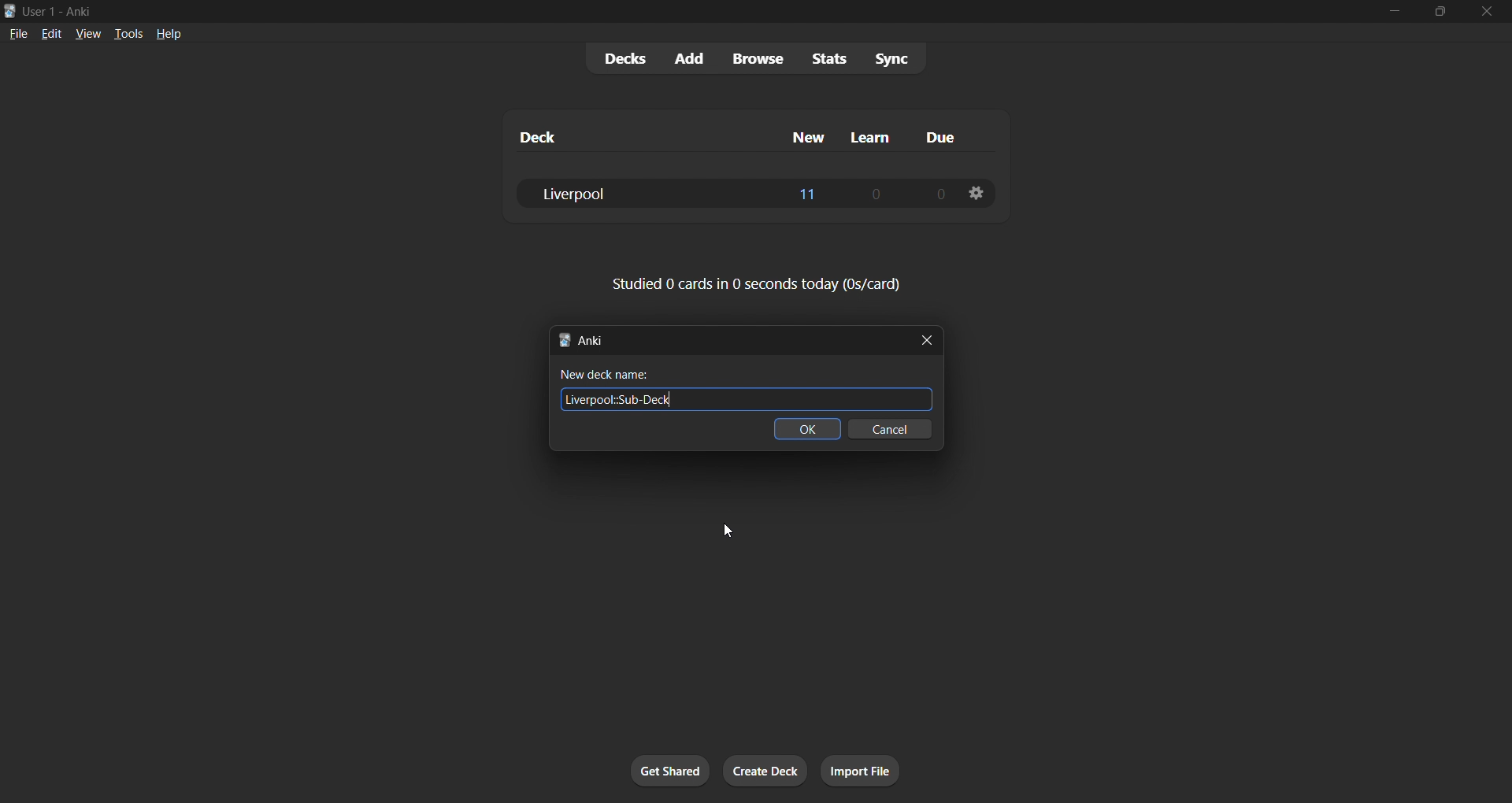 This screenshot has height=803, width=1512. What do you see at coordinates (720, 339) in the screenshot?
I see `new deck title bar` at bounding box center [720, 339].